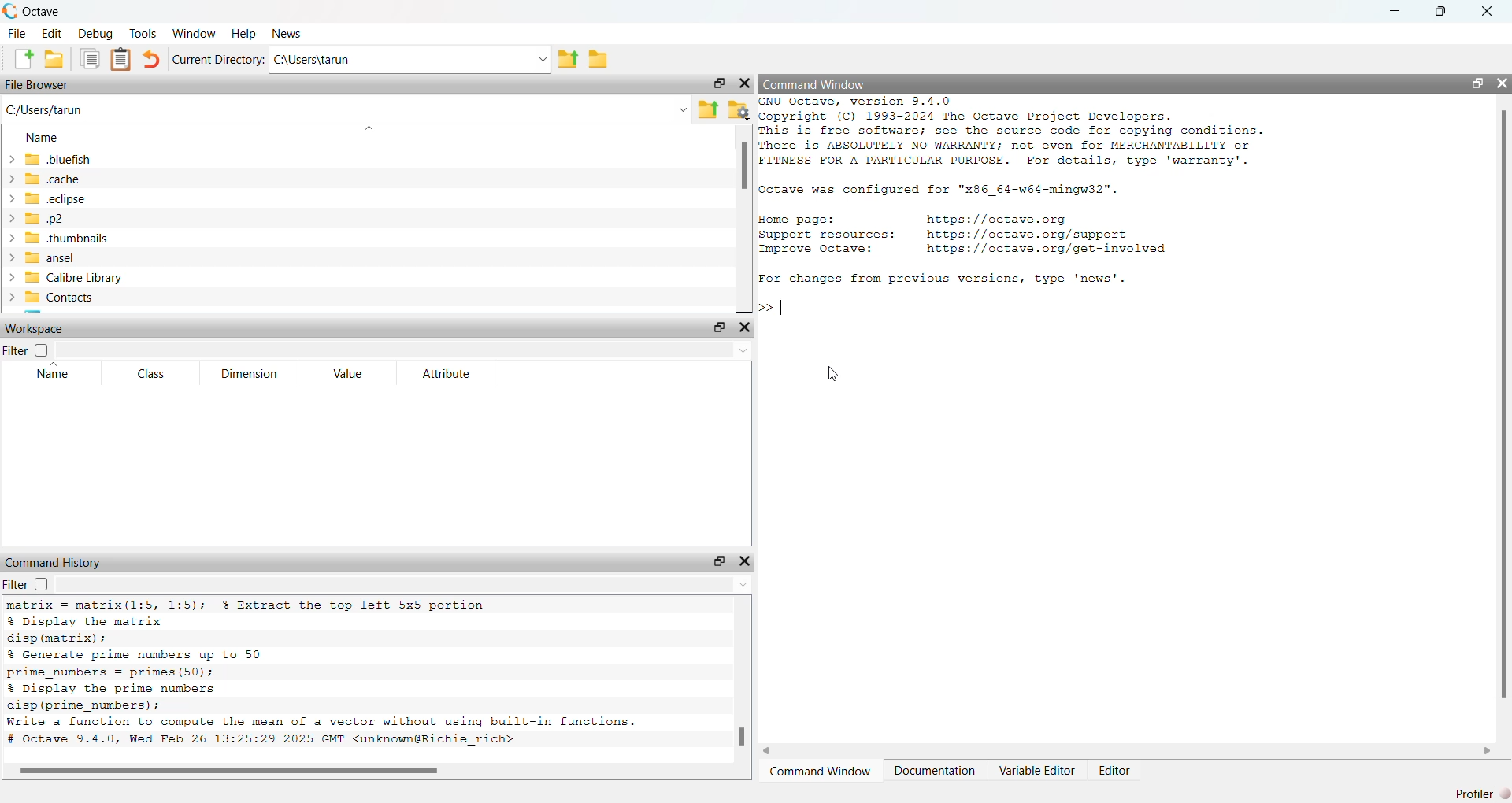  What do you see at coordinates (820, 772) in the screenshot?
I see `‘Command Window` at bounding box center [820, 772].